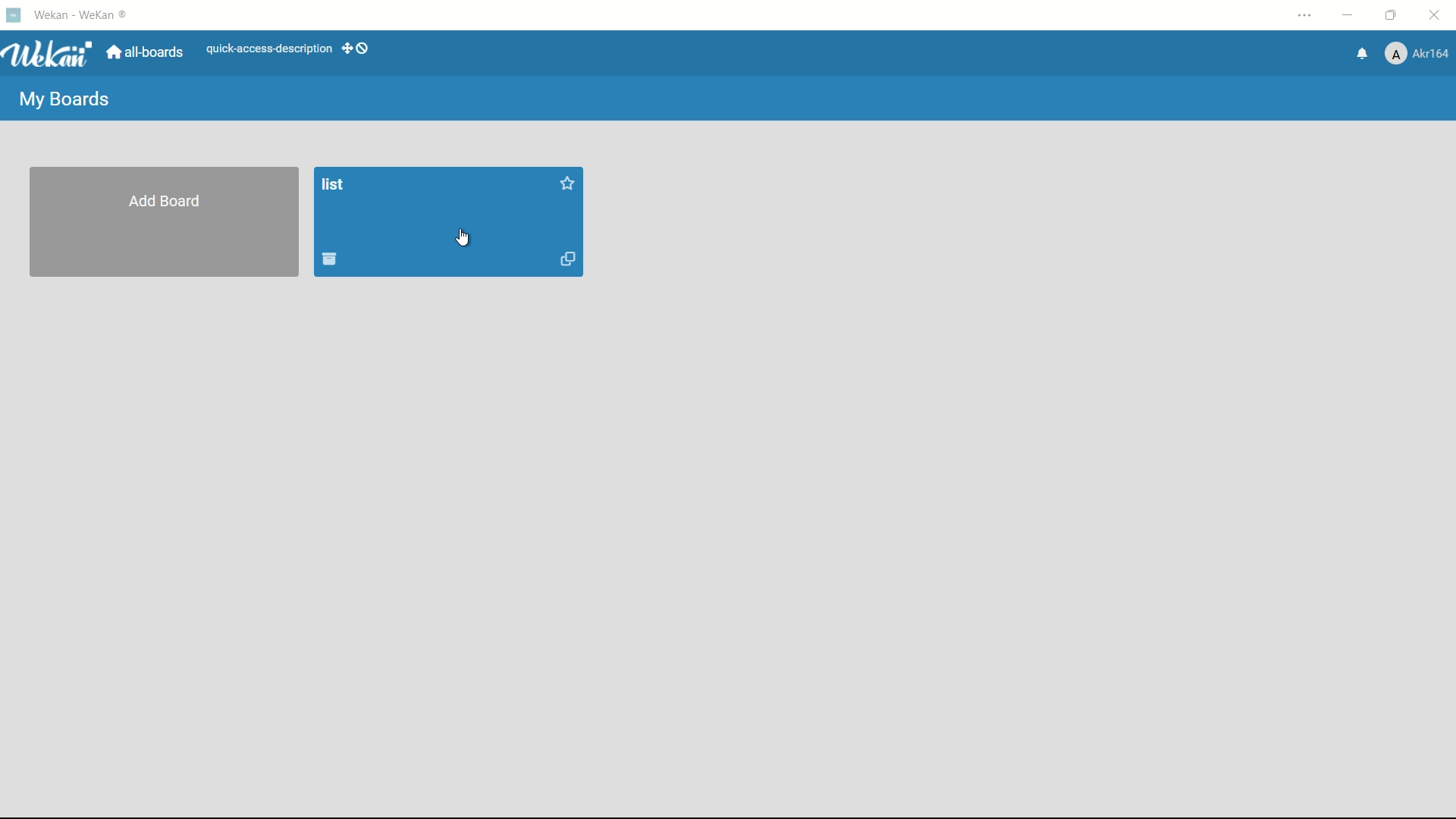 This screenshot has height=819, width=1456. I want to click on wekan logo, so click(52, 54).